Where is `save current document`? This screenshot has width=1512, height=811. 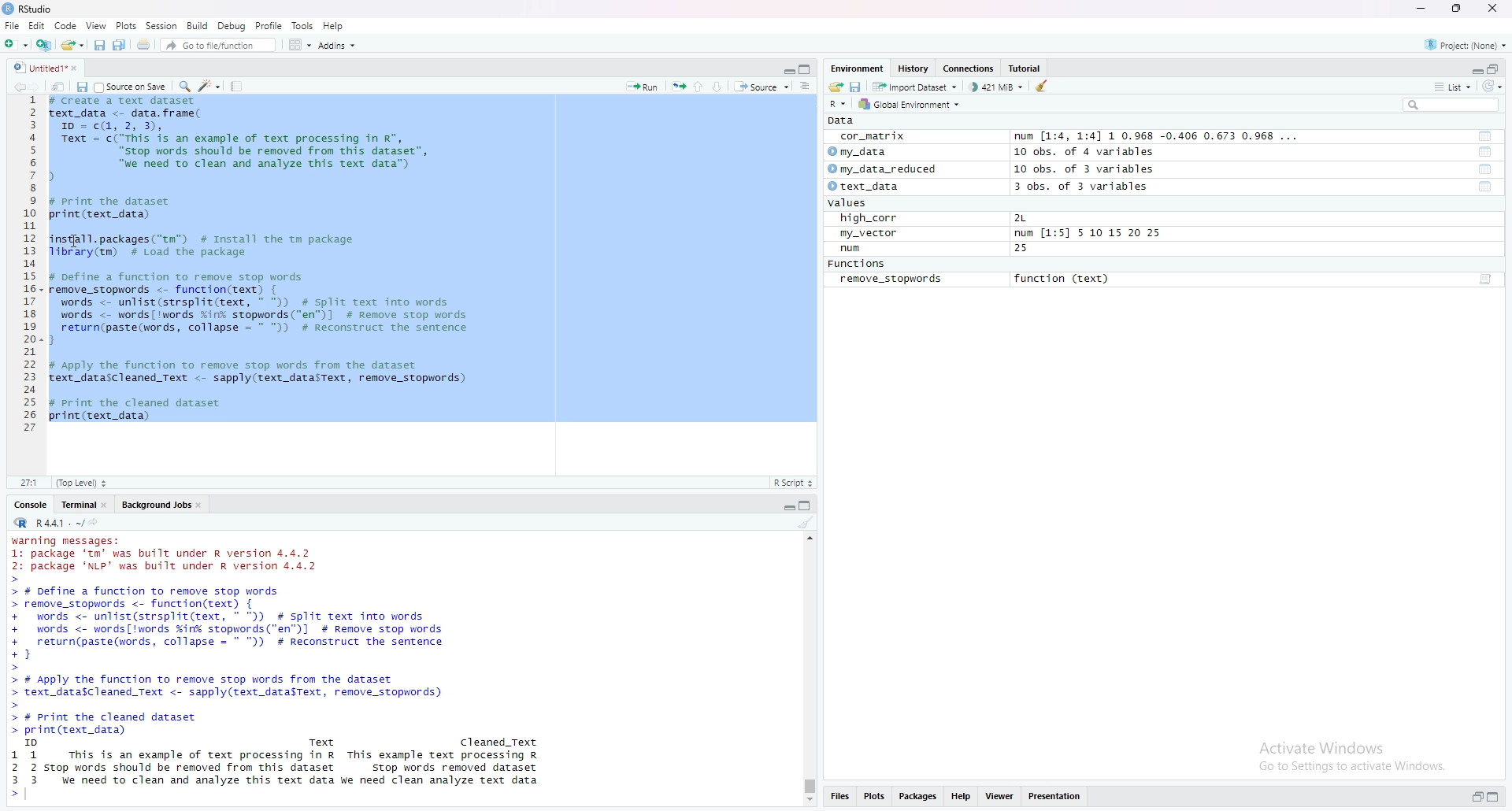 save current document is located at coordinates (98, 46).